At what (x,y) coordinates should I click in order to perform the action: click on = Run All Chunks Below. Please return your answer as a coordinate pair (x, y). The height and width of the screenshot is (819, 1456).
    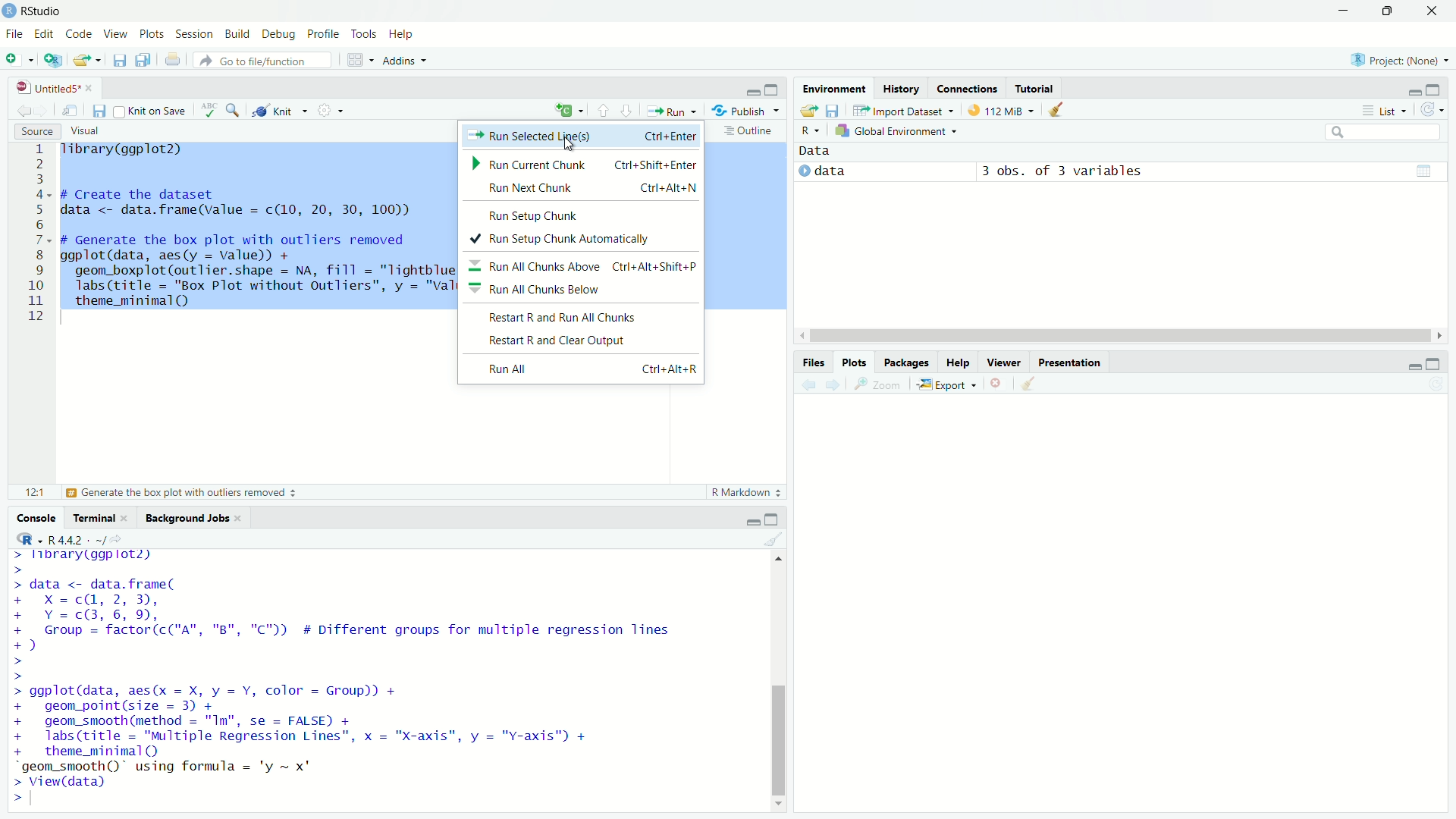
    Looking at the image, I should click on (558, 288).